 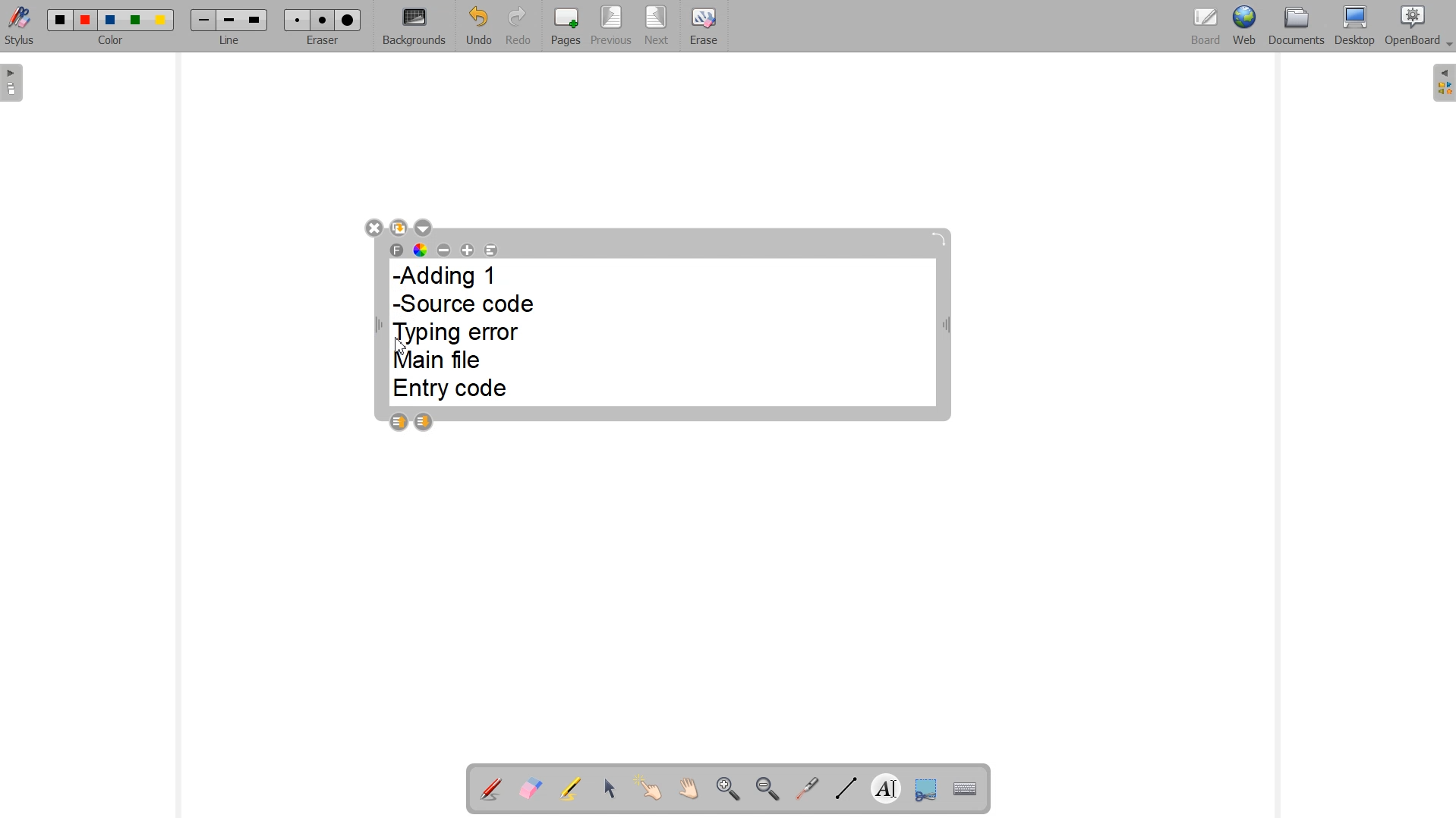 What do you see at coordinates (566, 26) in the screenshot?
I see `Pages` at bounding box center [566, 26].